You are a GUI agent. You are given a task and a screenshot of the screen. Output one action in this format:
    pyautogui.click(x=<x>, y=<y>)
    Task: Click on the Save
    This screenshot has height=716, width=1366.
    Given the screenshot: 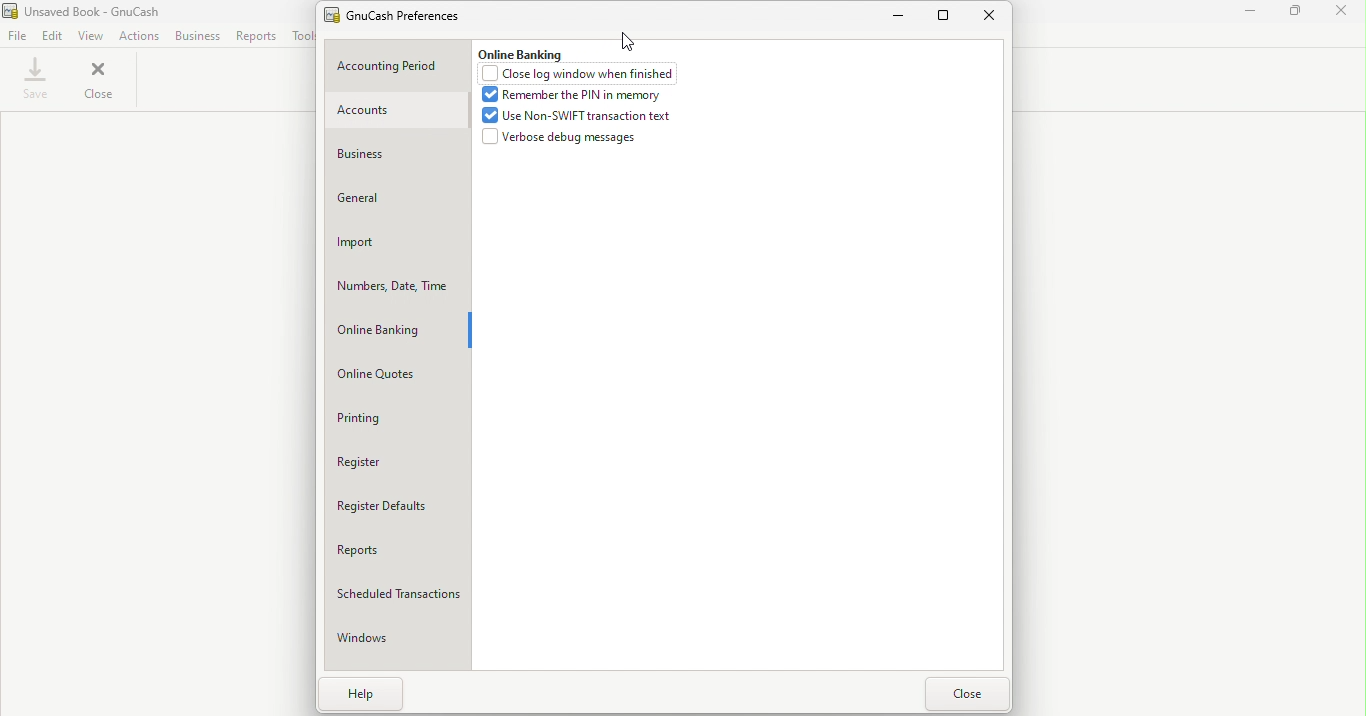 What is the action you would take?
    pyautogui.click(x=36, y=82)
    